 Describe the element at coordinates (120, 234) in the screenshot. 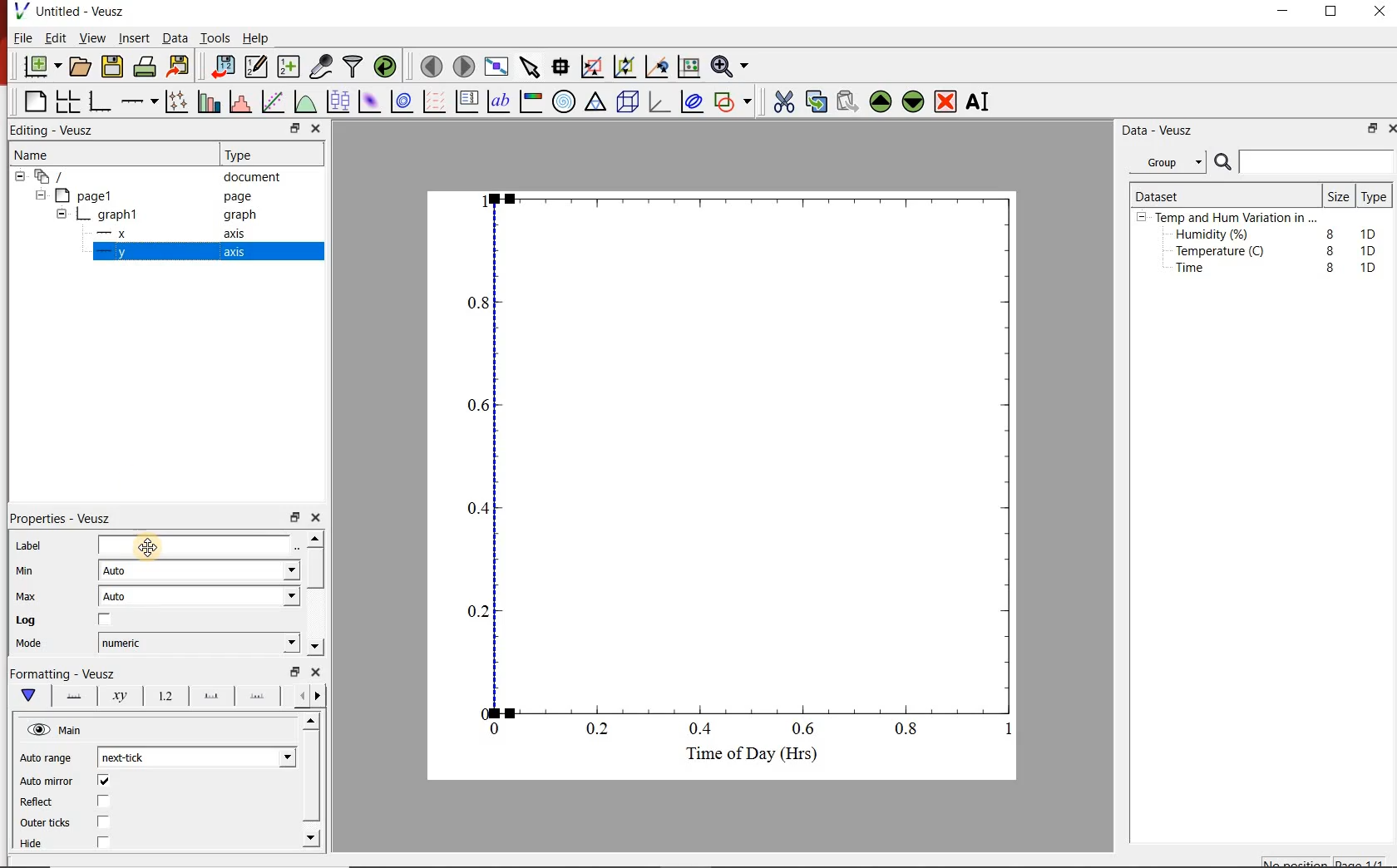

I see `x` at that location.